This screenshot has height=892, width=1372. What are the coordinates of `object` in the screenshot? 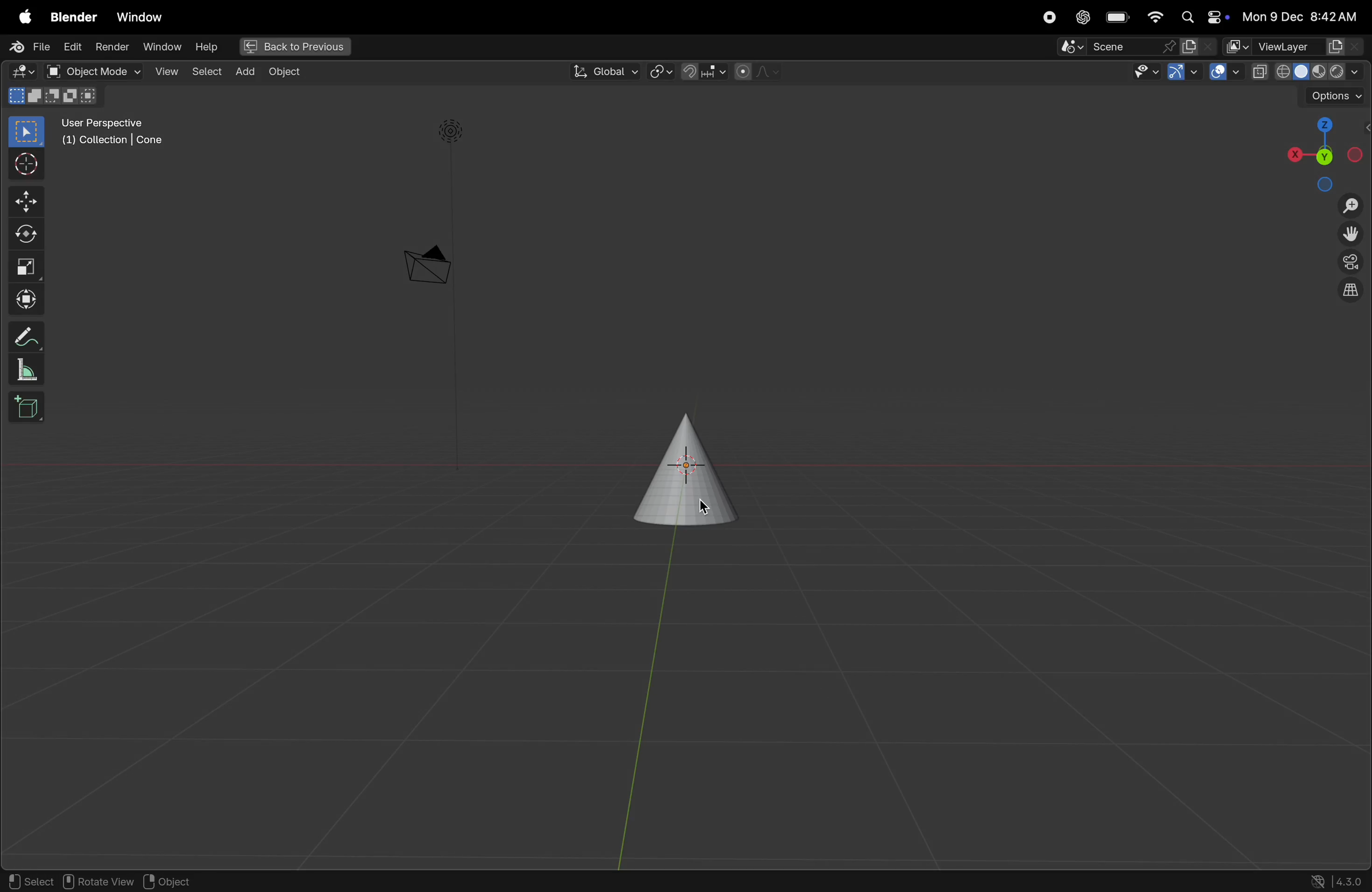 It's located at (174, 880).